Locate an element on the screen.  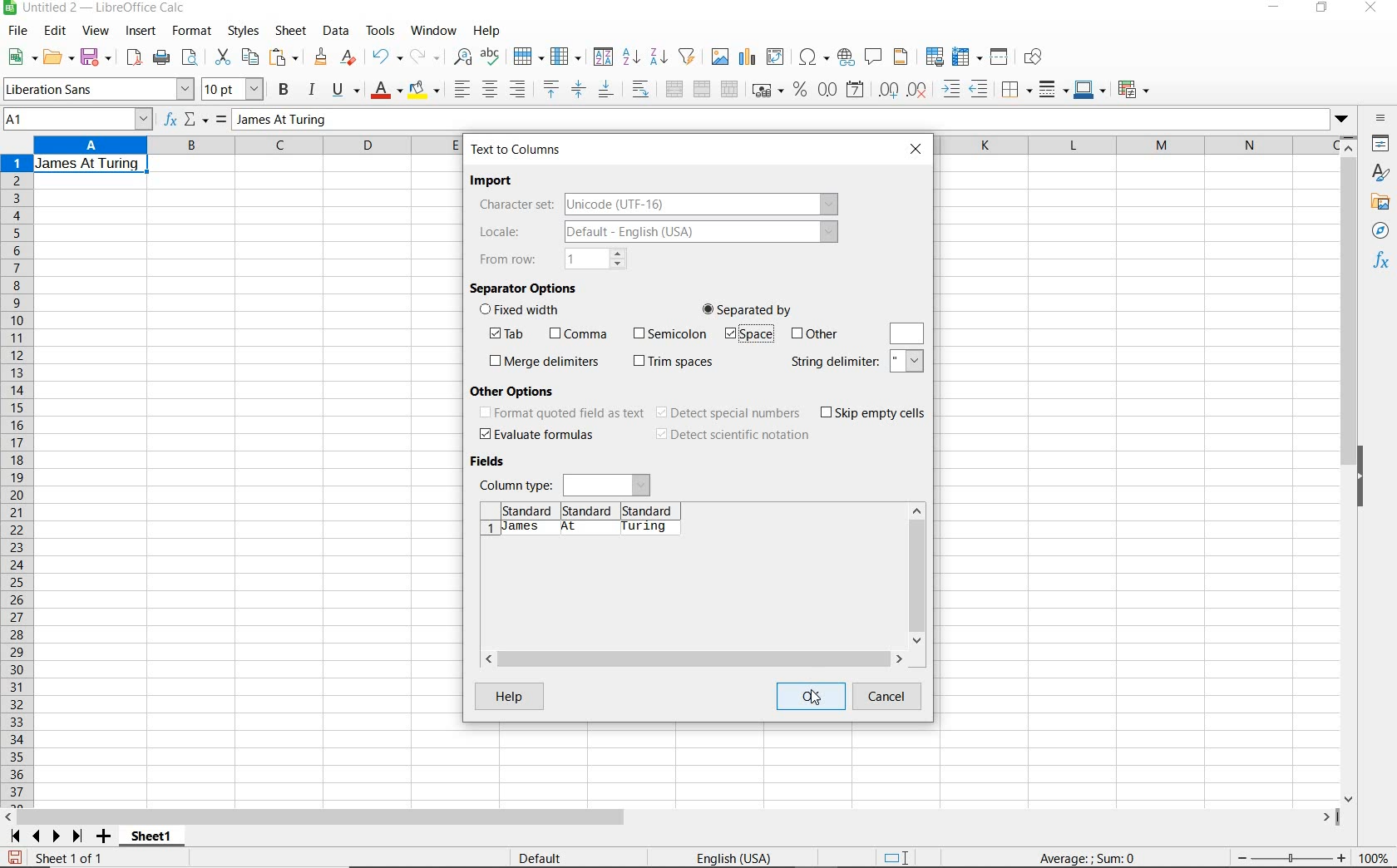
align left is located at coordinates (459, 86).